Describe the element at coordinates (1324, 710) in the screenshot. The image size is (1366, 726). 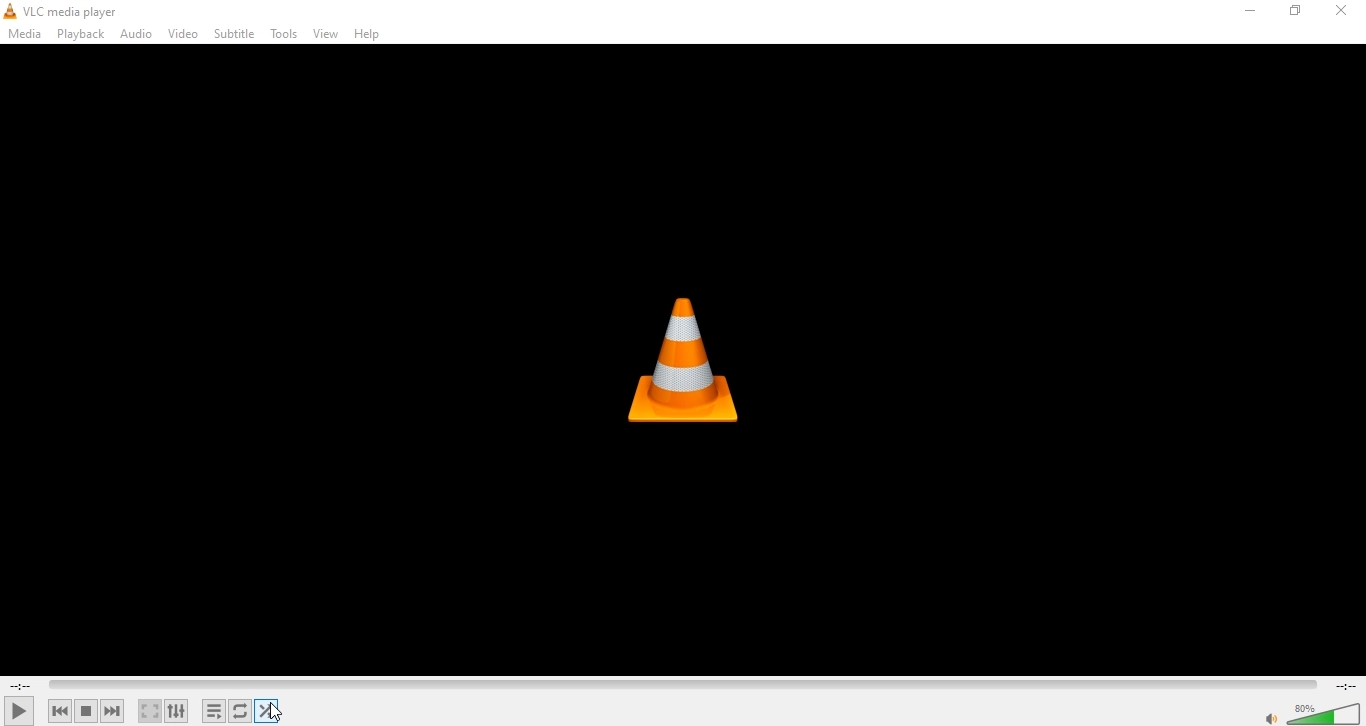
I see `volume slider` at that location.